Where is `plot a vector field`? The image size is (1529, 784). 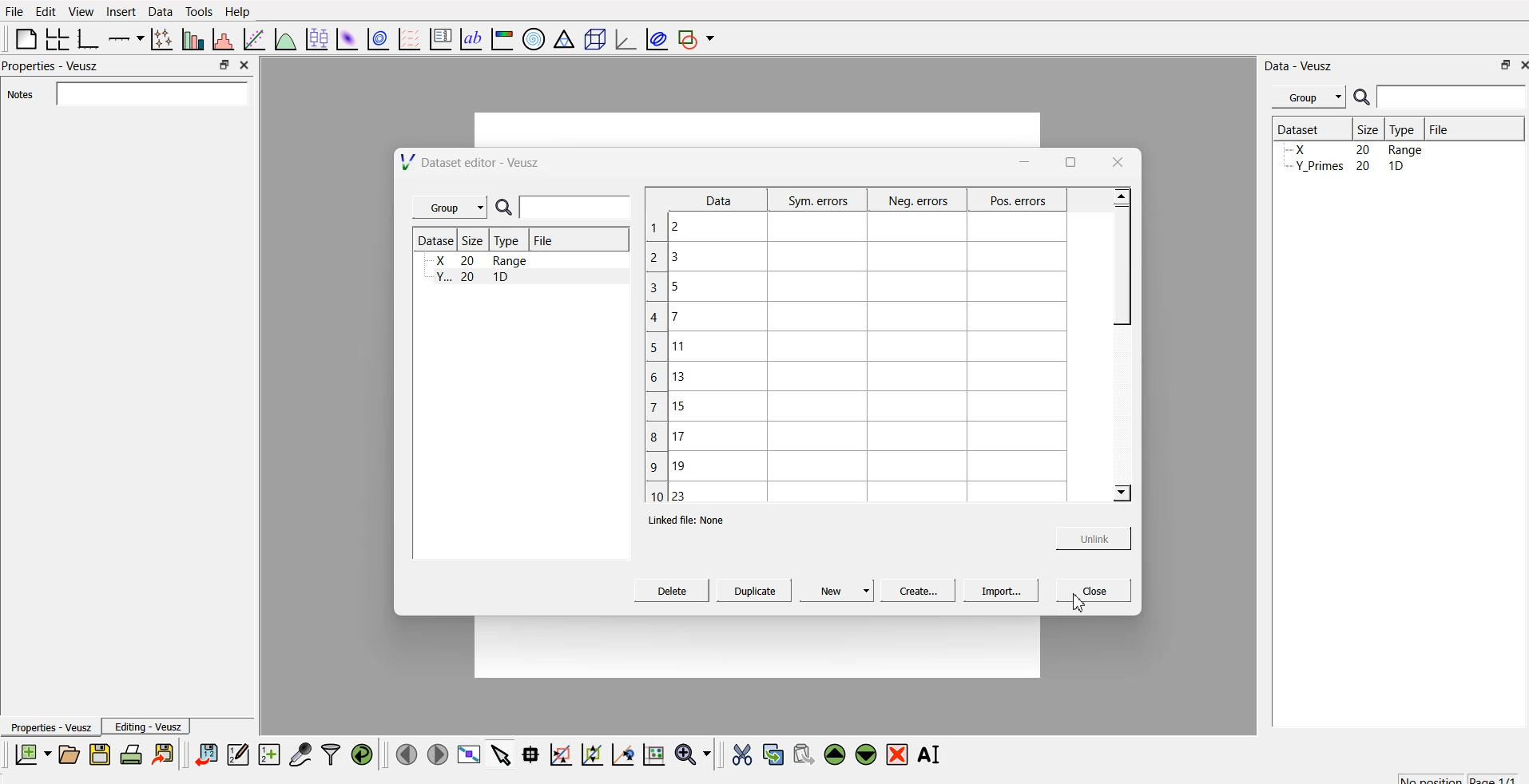 plot a vector field is located at coordinates (412, 38).